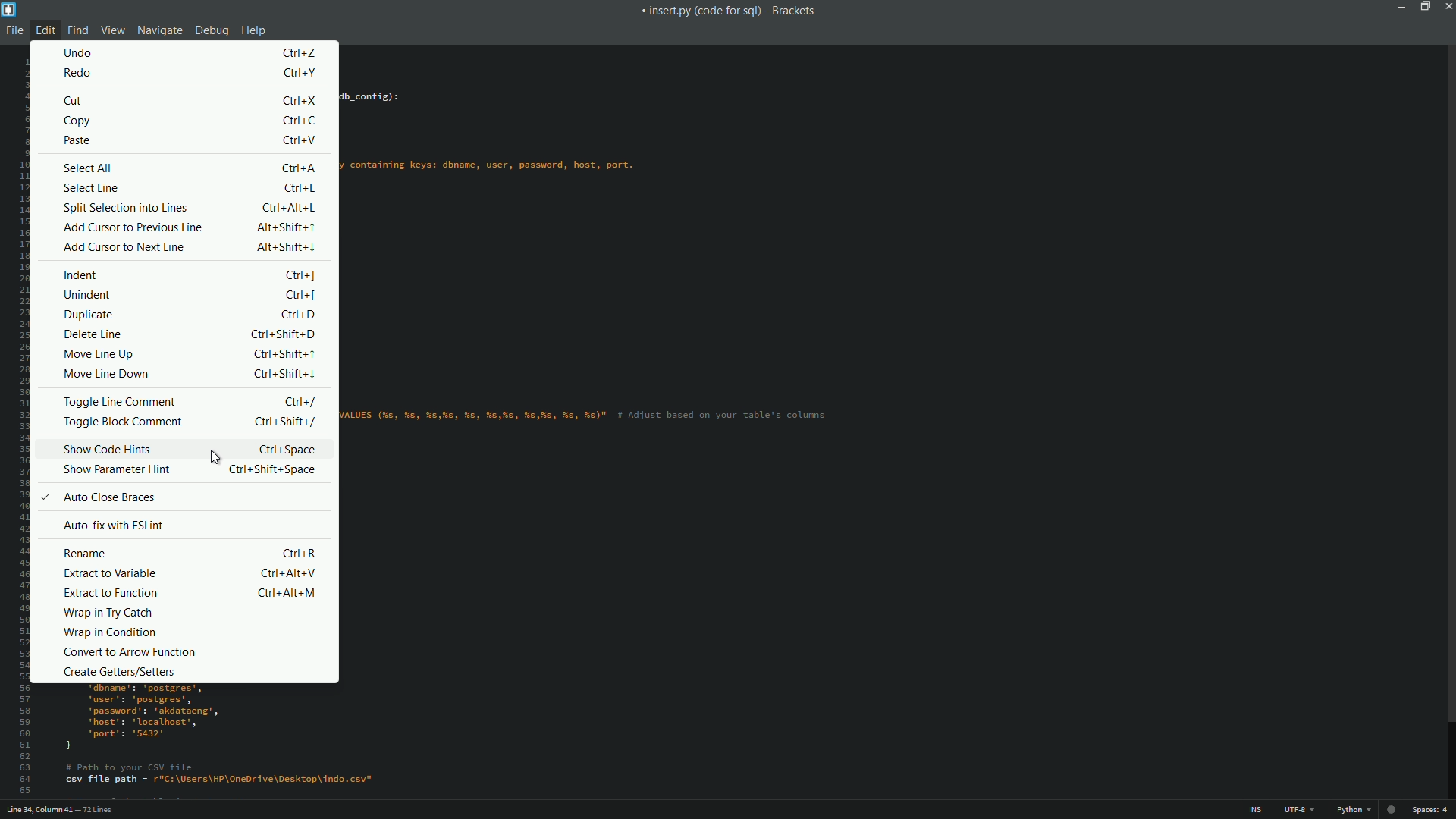  What do you see at coordinates (117, 672) in the screenshot?
I see `create getter/setter` at bounding box center [117, 672].